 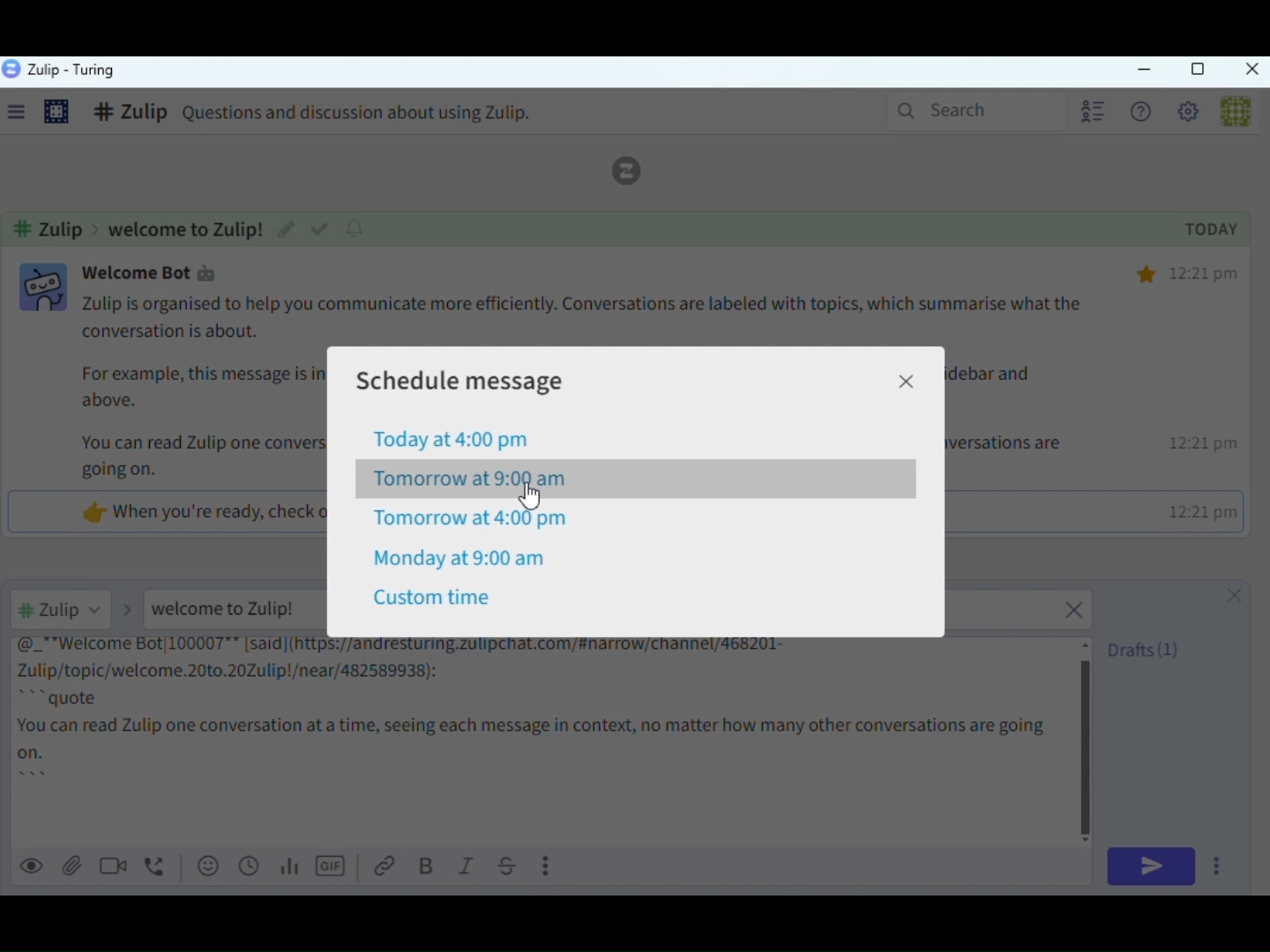 What do you see at coordinates (1262, 97) in the screenshot?
I see `Up` at bounding box center [1262, 97].